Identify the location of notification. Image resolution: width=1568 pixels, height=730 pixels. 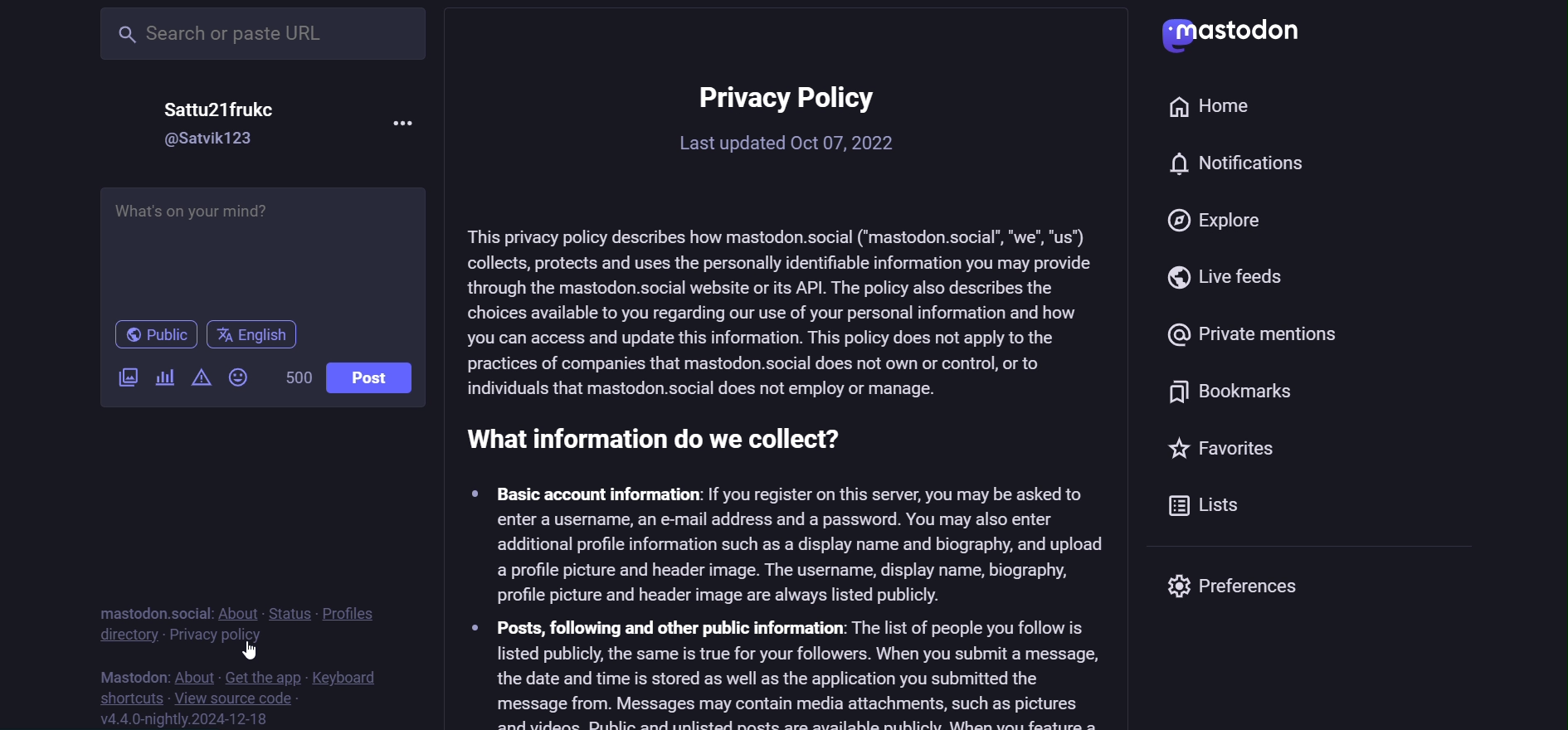
(1233, 168).